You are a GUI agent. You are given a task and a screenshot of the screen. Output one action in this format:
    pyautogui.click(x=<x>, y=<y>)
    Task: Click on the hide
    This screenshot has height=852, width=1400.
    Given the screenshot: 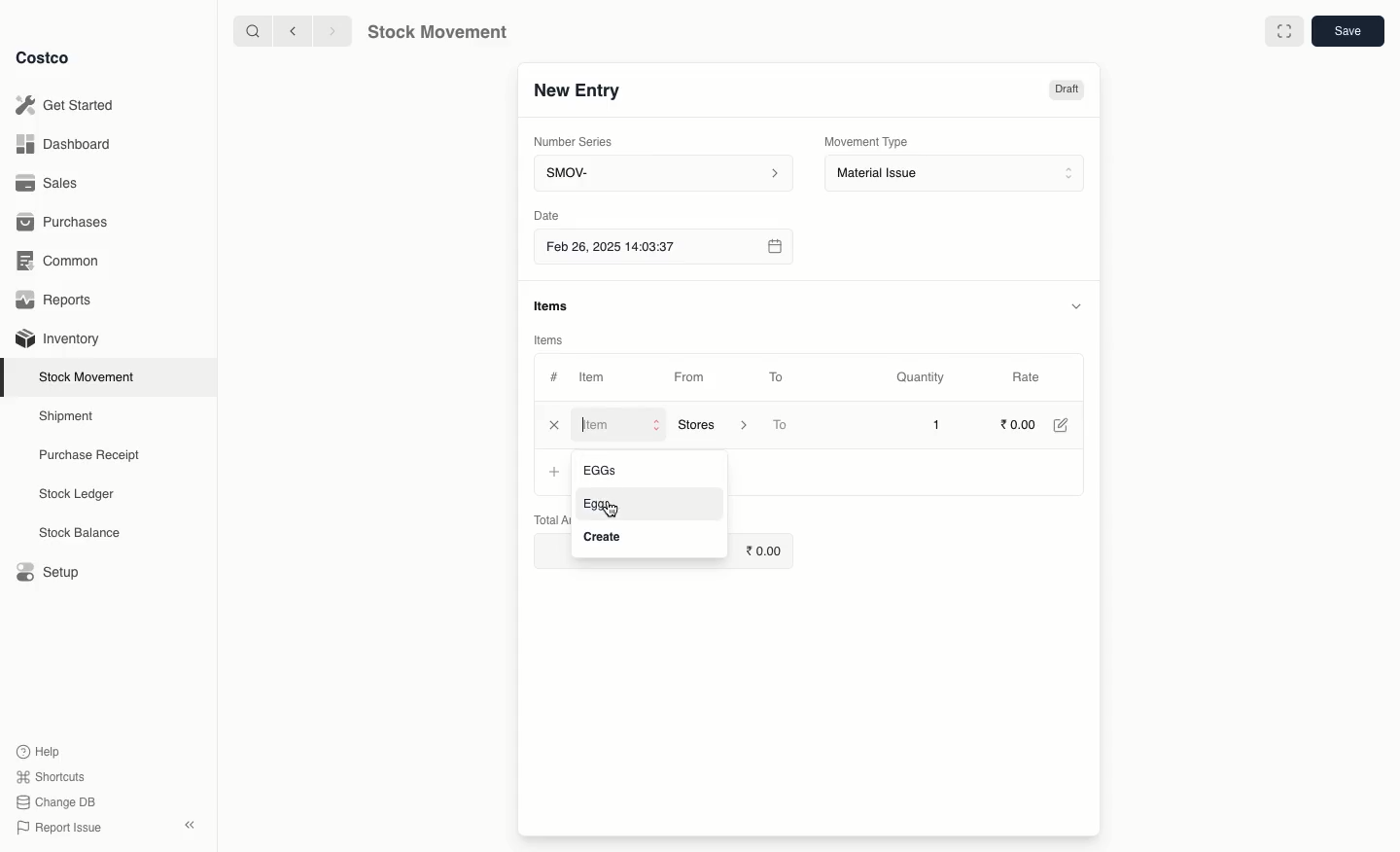 What is the action you would take?
    pyautogui.click(x=1079, y=304)
    